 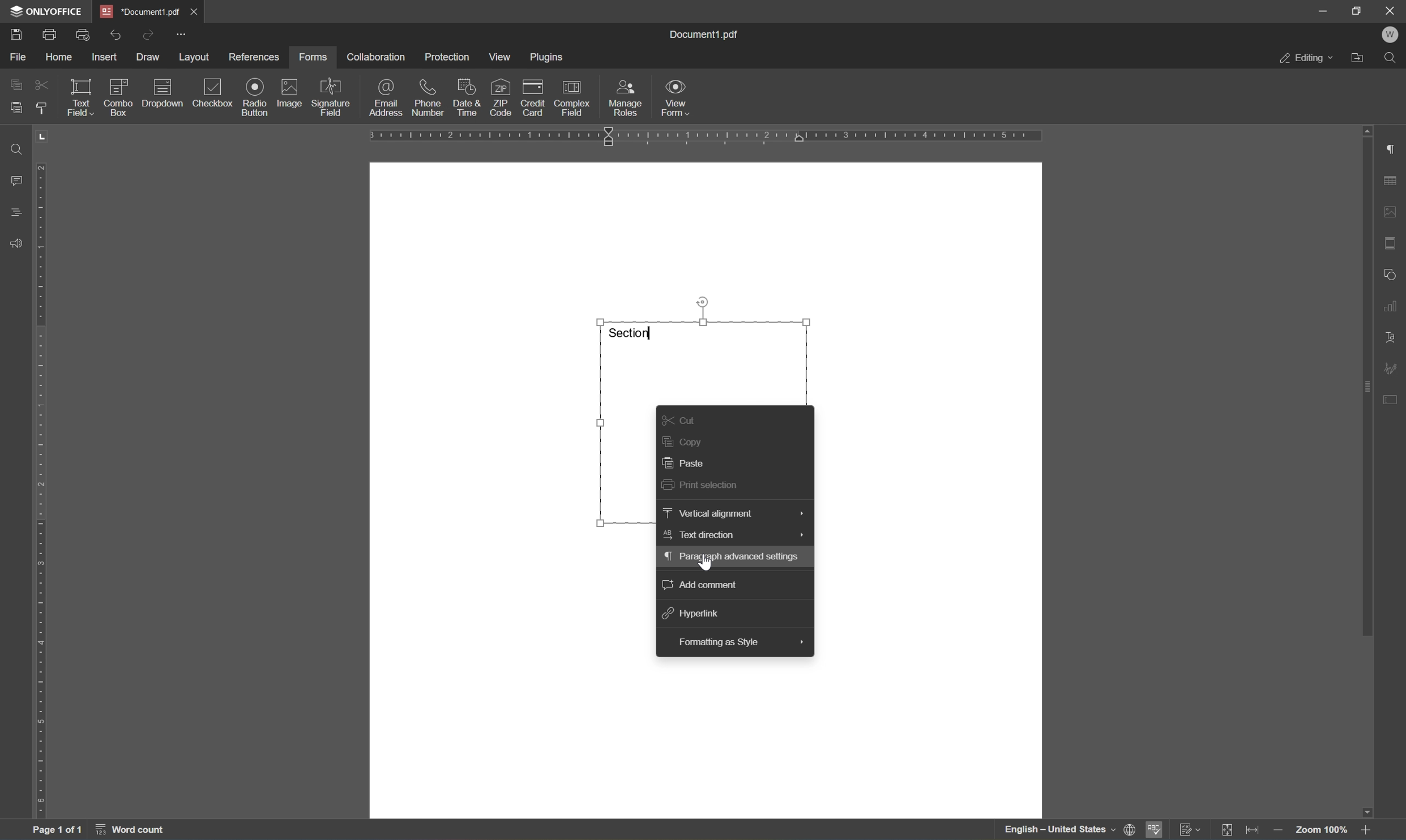 I want to click on header & footer settings, so click(x=1391, y=244).